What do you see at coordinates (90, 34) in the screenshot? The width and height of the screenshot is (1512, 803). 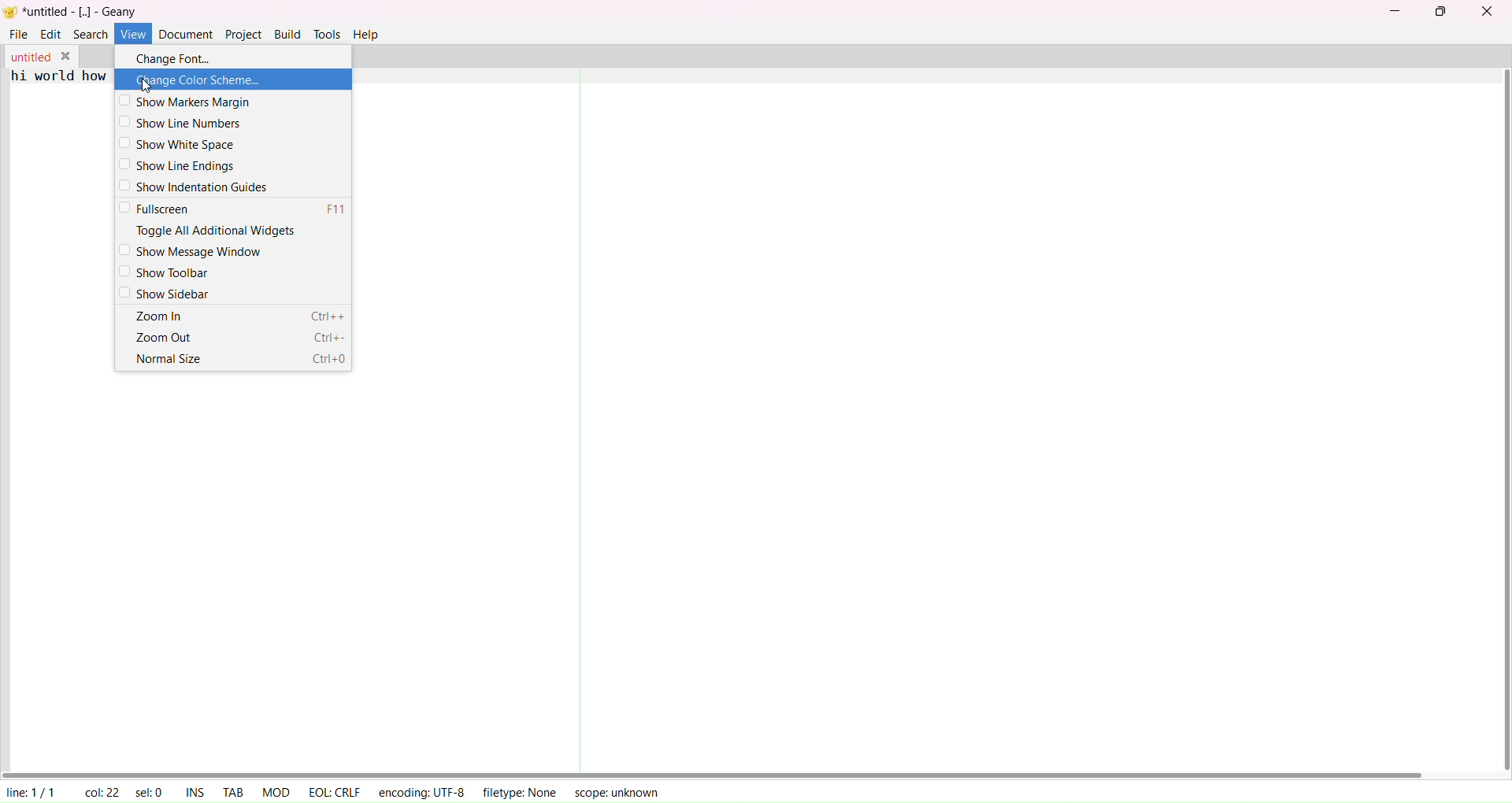 I see `search` at bounding box center [90, 34].